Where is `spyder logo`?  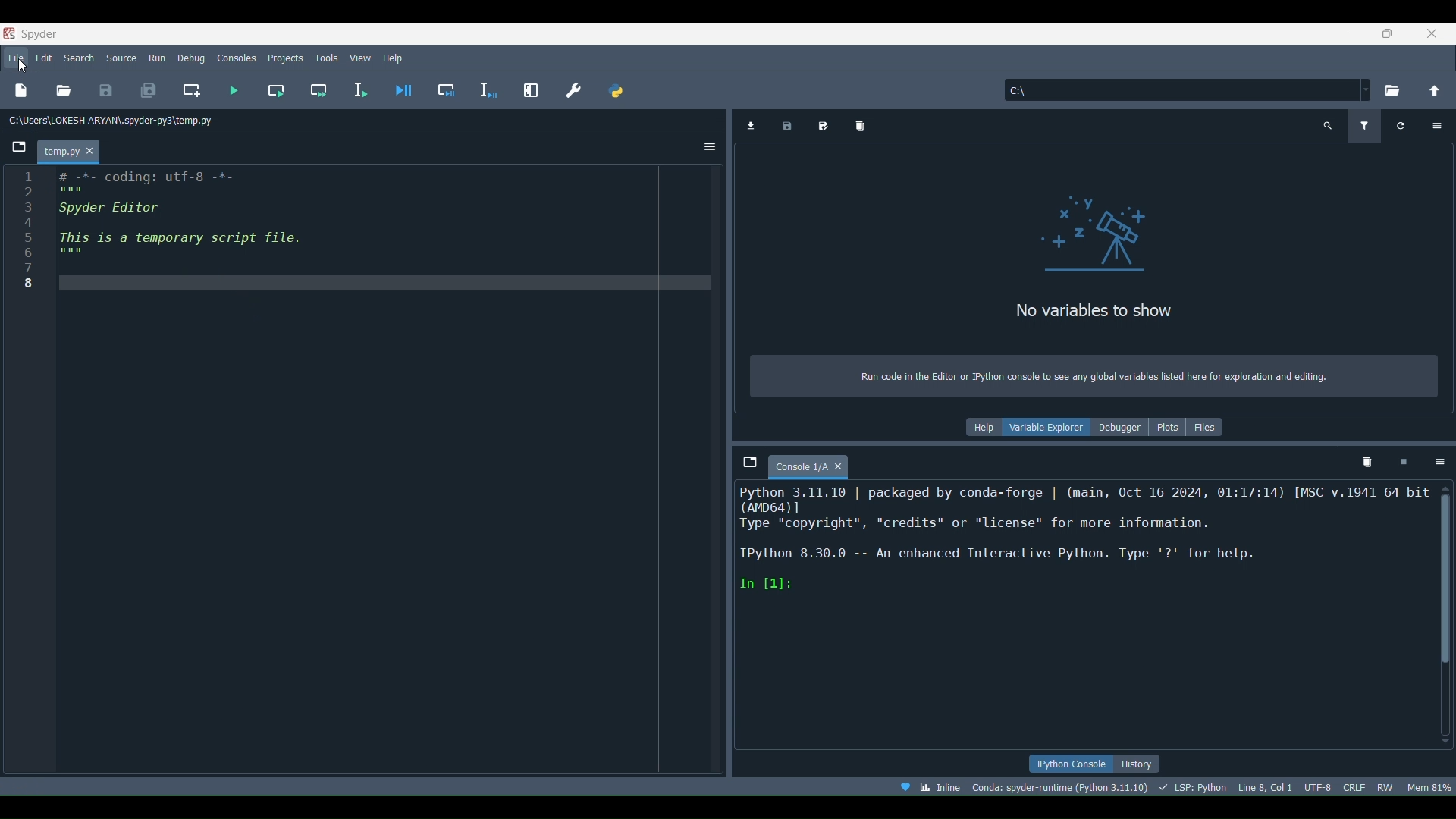 spyder logo is located at coordinates (36, 33).